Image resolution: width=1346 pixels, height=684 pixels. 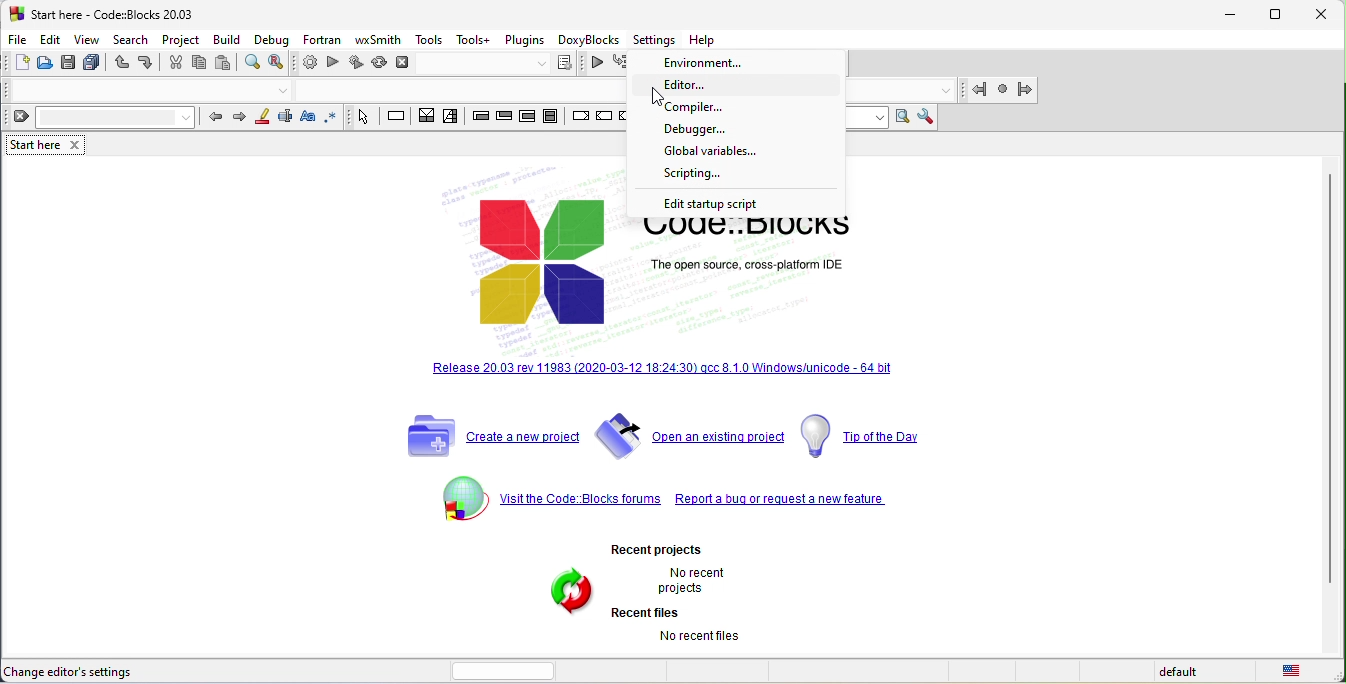 What do you see at coordinates (505, 670) in the screenshot?
I see `horizontal scroll bar` at bounding box center [505, 670].